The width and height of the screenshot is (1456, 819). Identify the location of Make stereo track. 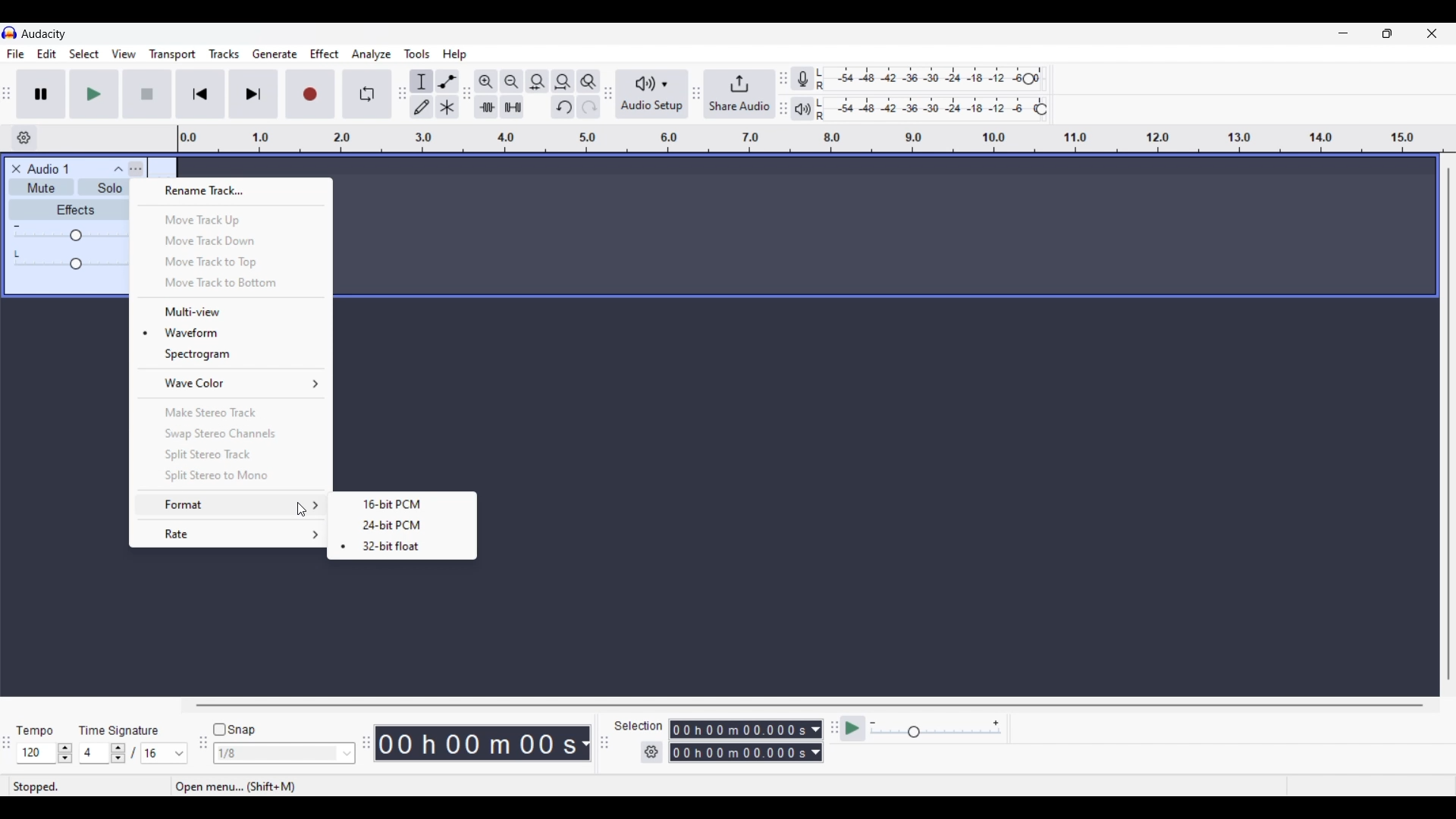
(232, 412).